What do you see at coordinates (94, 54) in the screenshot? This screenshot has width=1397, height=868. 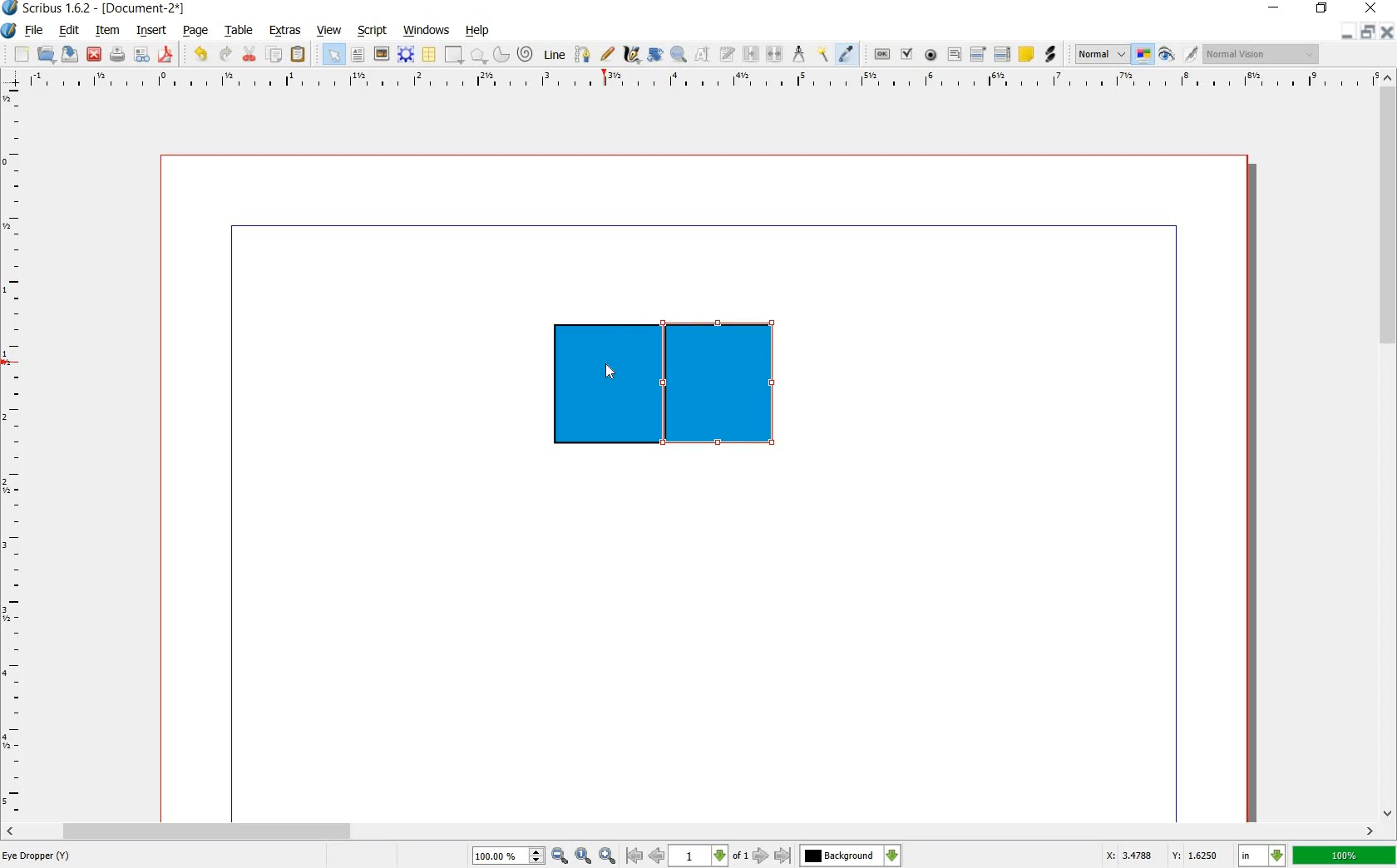 I see `close` at bounding box center [94, 54].